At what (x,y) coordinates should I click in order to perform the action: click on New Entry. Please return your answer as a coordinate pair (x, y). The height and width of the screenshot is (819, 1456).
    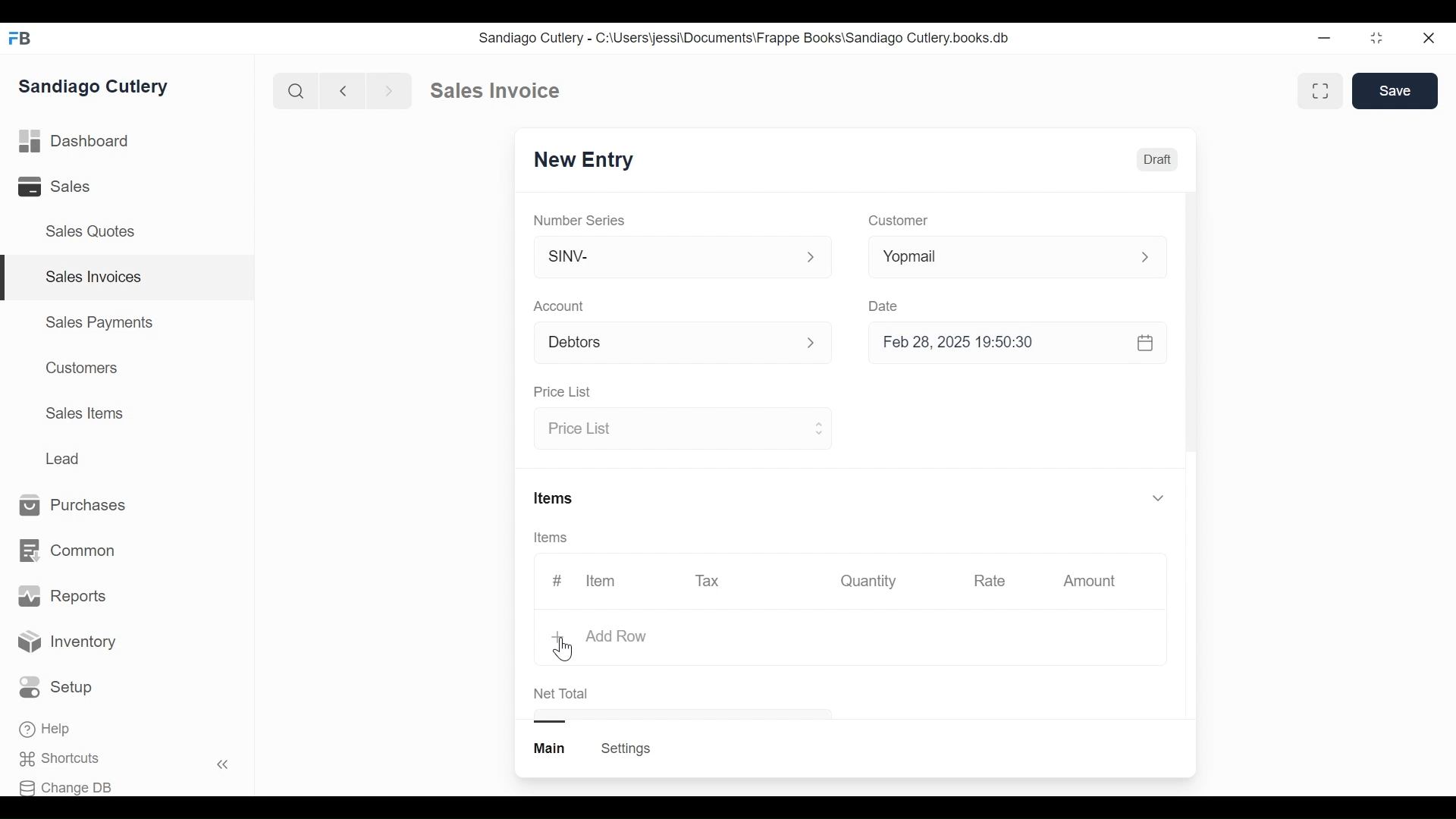
    Looking at the image, I should click on (579, 162).